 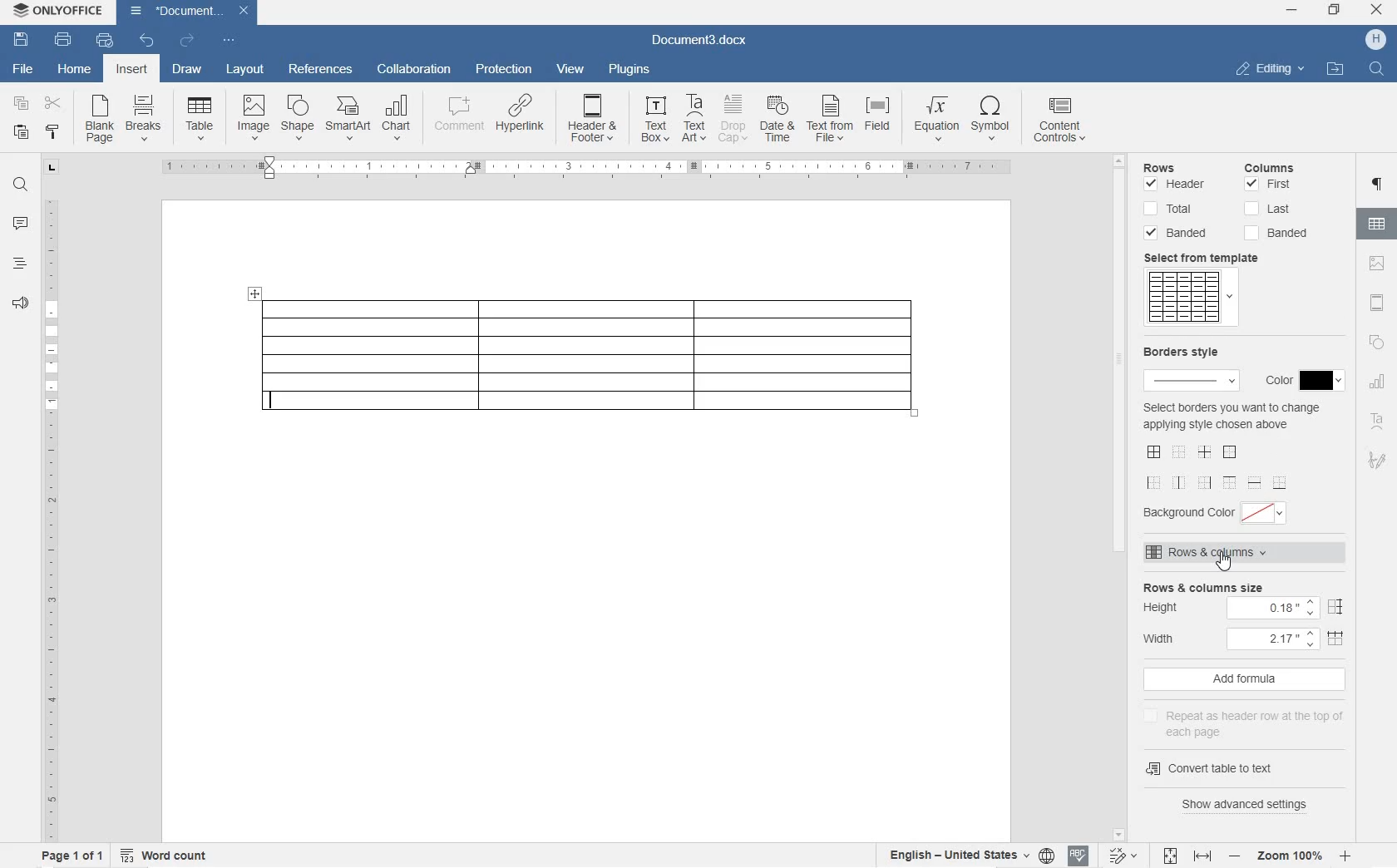 What do you see at coordinates (1119, 857) in the screenshot?
I see `TRACK CHANGES` at bounding box center [1119, 857].